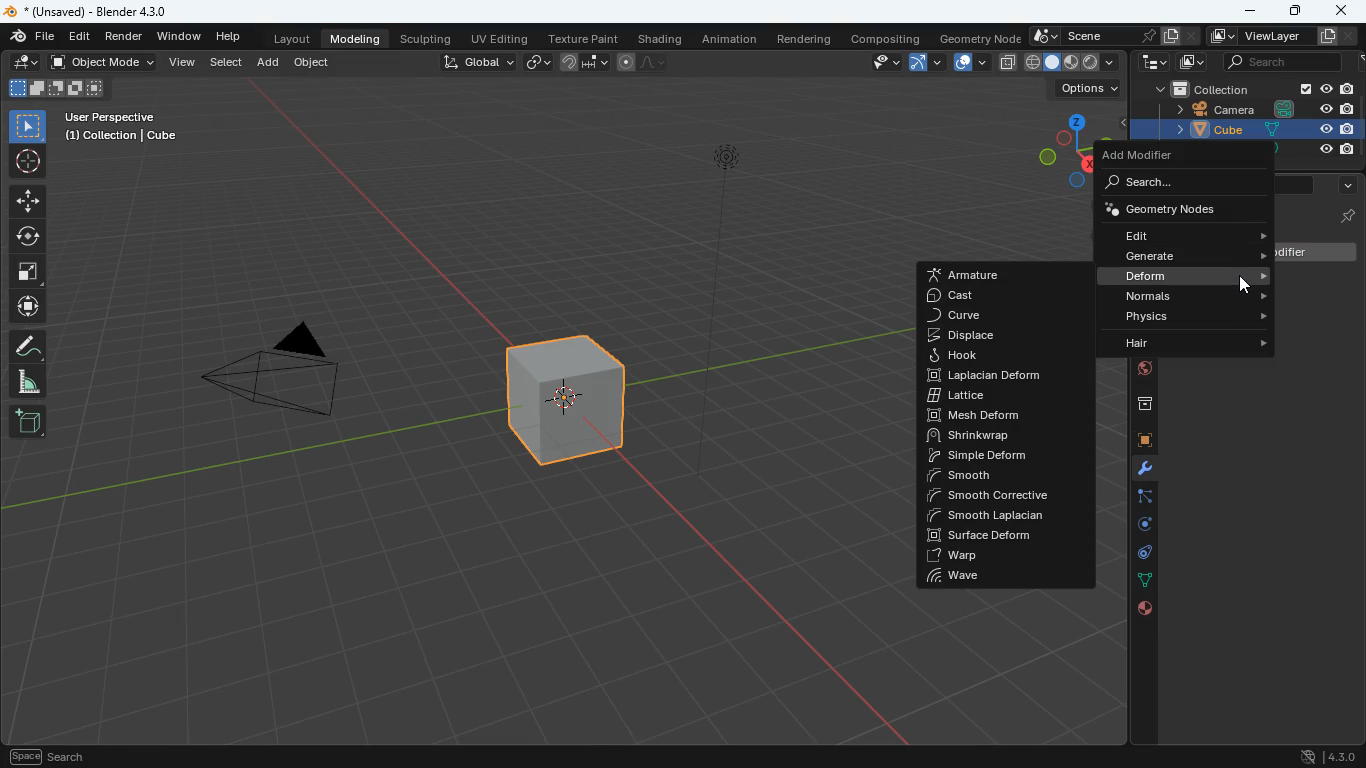 This screenshot has height=768, width=1366. What do you see at coordinates (311, 63) in the screenshot?
I see `object` at bounding box center [311, 63].